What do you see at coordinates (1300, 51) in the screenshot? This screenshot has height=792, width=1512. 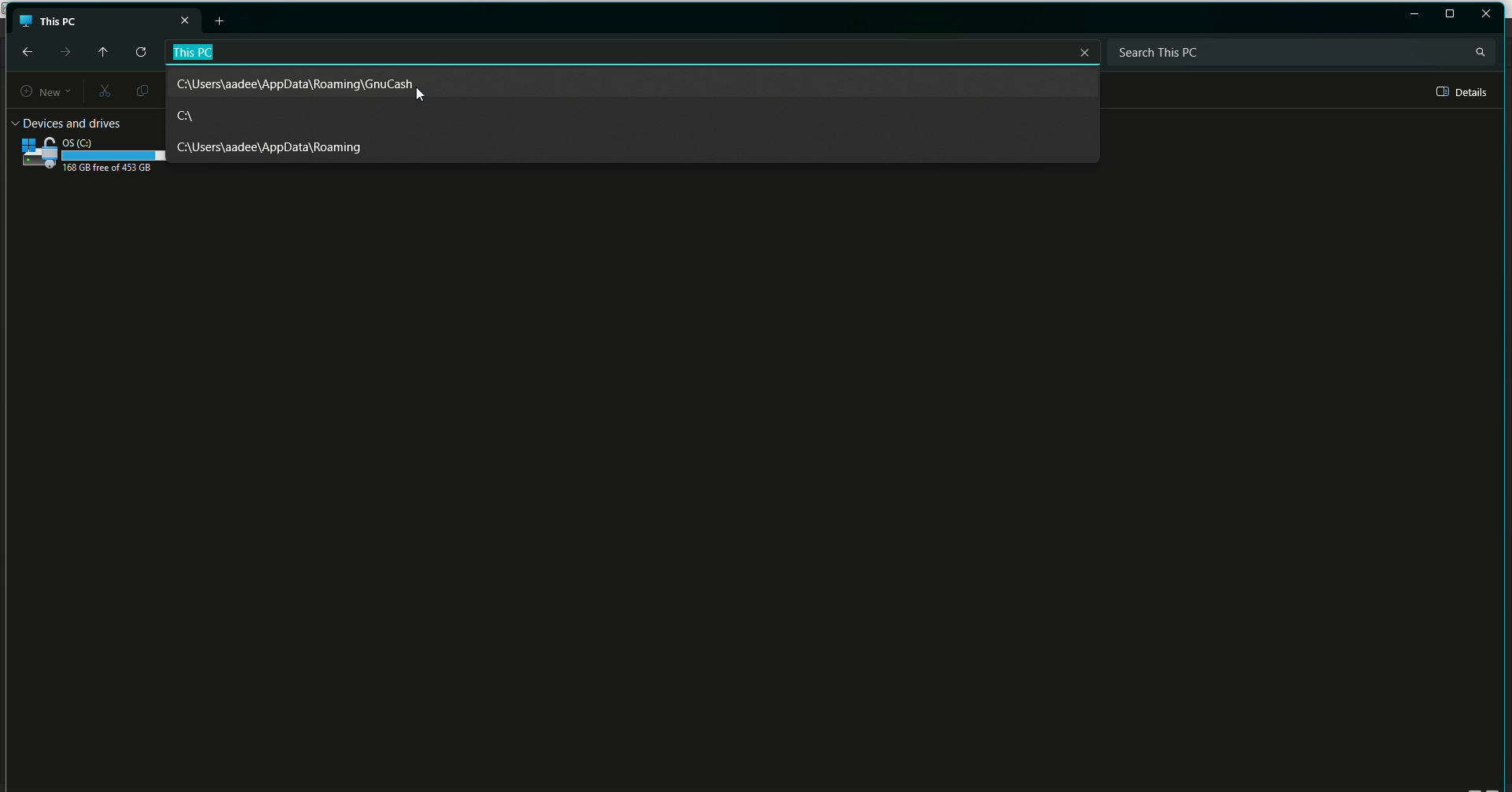 I see `Search bar` at bounding box center [1300, 51].